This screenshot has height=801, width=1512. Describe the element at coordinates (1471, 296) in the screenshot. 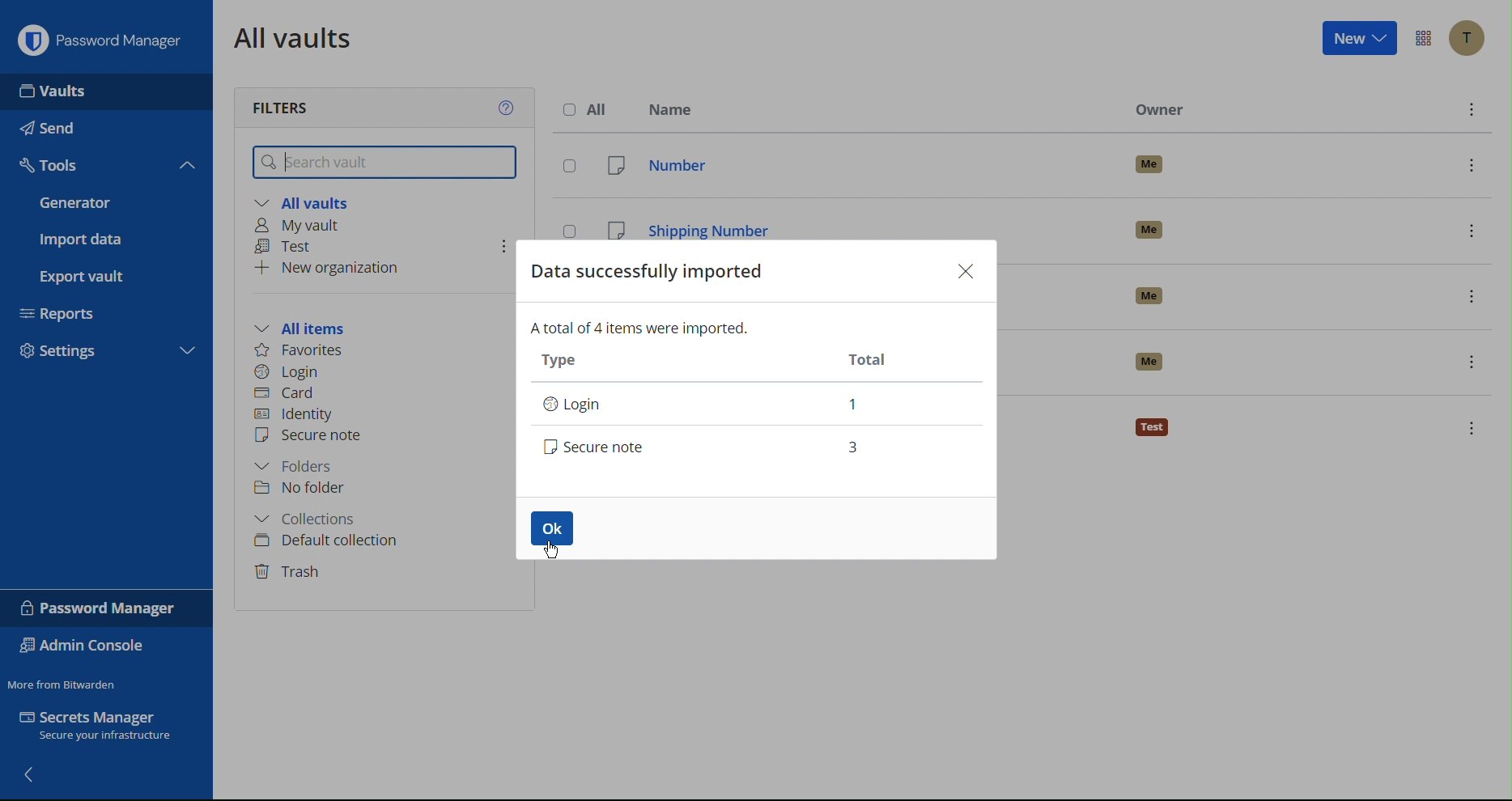

I see `options` at that location.